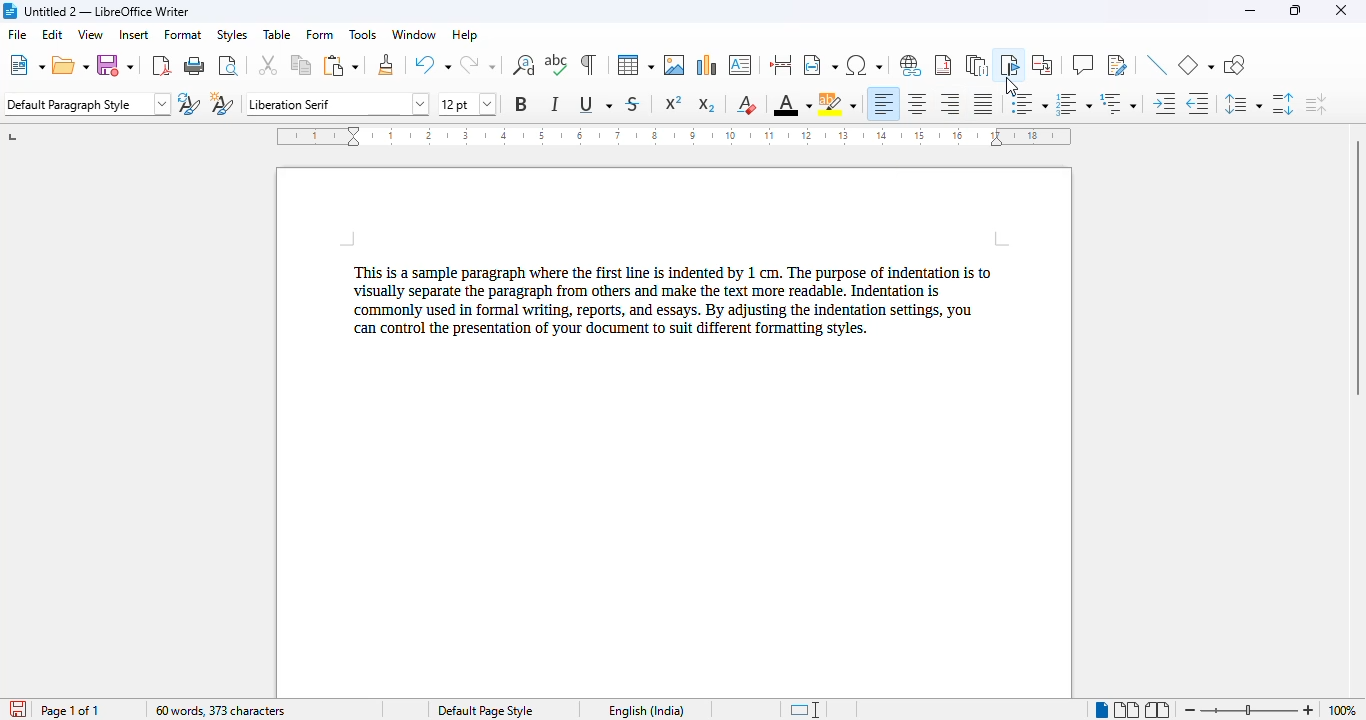 Image resolution: width=1366 pixels, height=720 pixels. What do you see at coordinates (634, 104) in the screenshot?
I see `strikethrough` at bounding box center [634, 104].